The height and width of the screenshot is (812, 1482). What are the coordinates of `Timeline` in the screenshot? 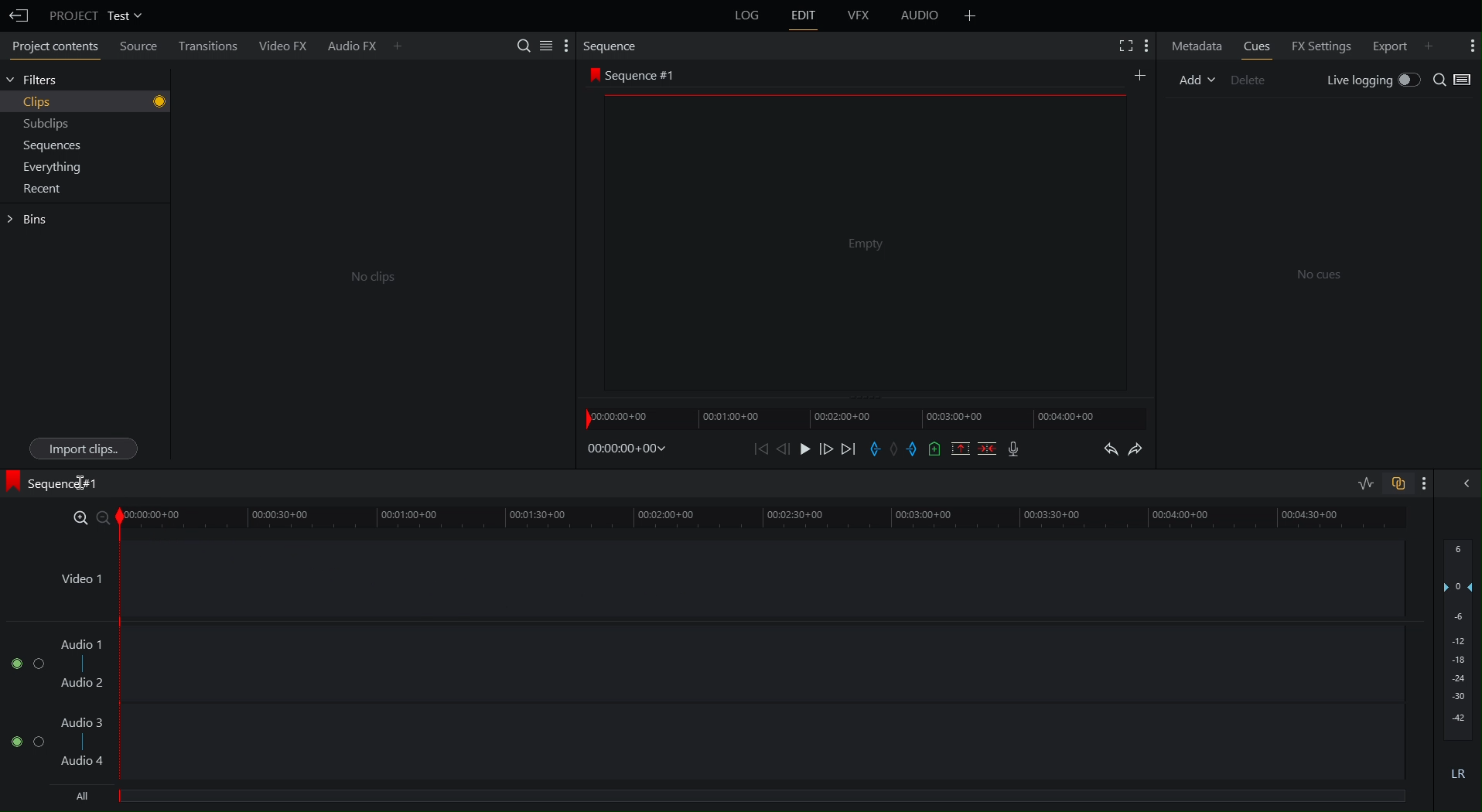 It's located at (867, 415).